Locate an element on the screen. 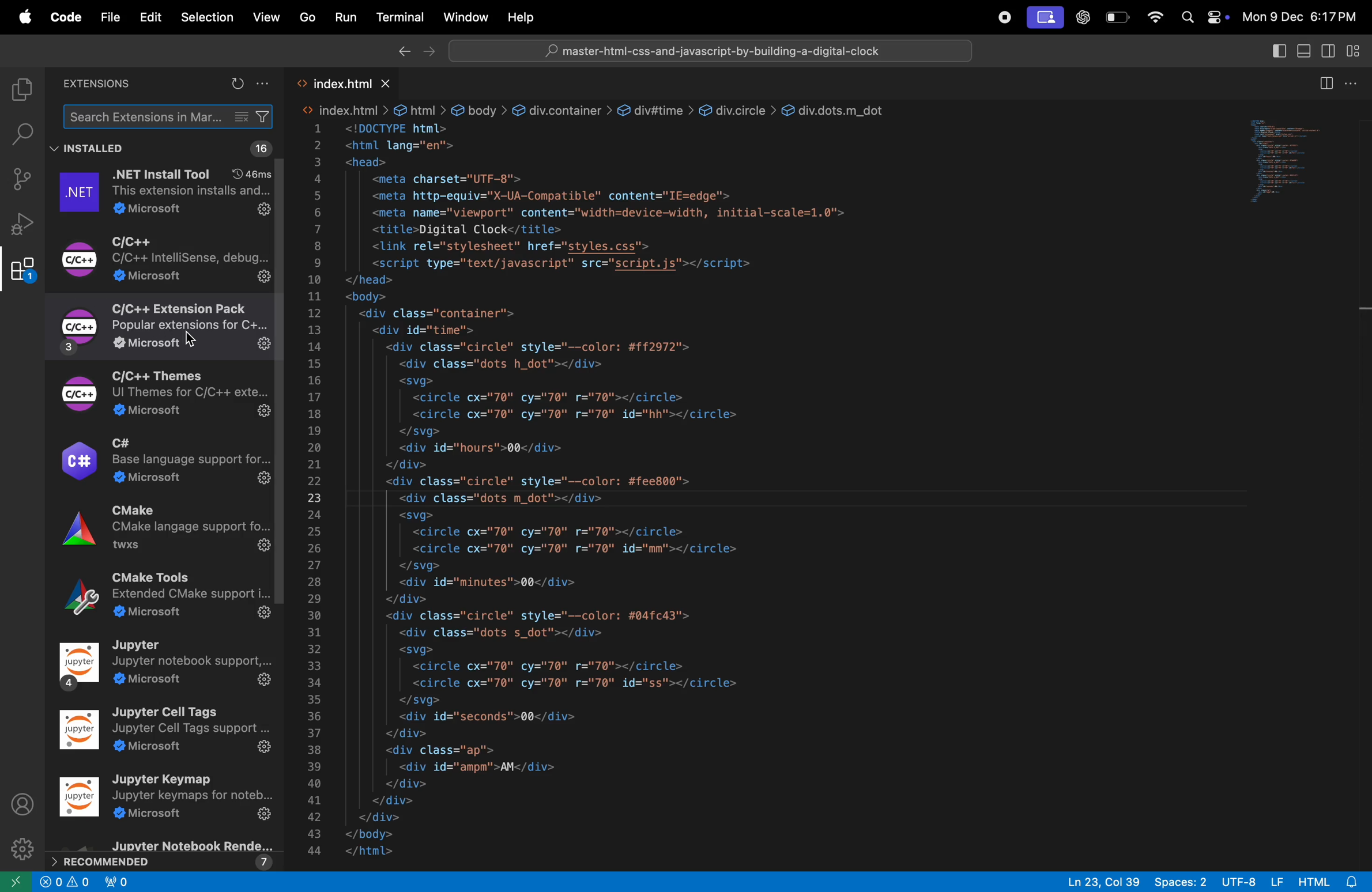  settings is located at coordinates (21, 846).